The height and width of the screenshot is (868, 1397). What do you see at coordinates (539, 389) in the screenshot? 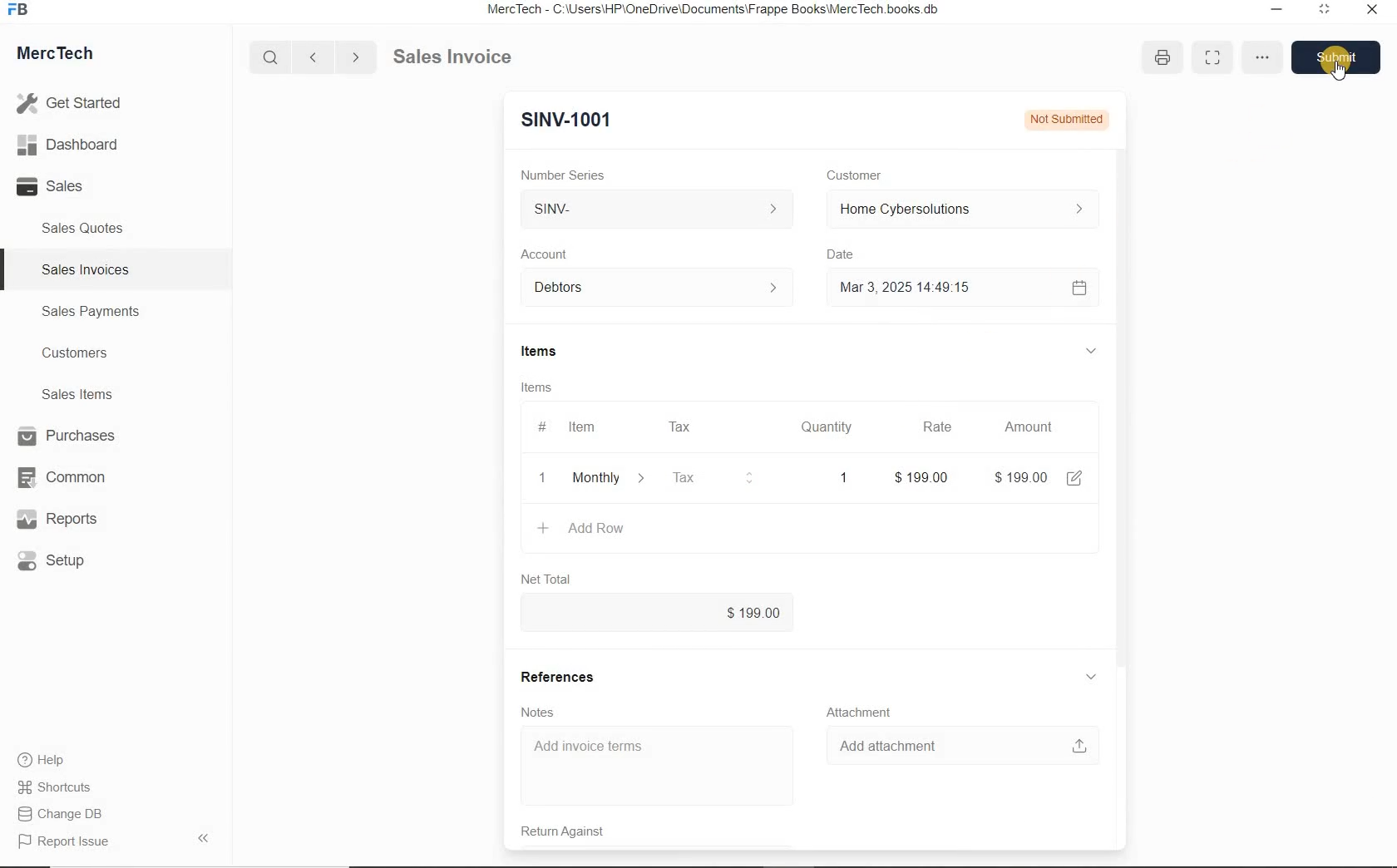
I see `Items` at bounding box center [539, 389].